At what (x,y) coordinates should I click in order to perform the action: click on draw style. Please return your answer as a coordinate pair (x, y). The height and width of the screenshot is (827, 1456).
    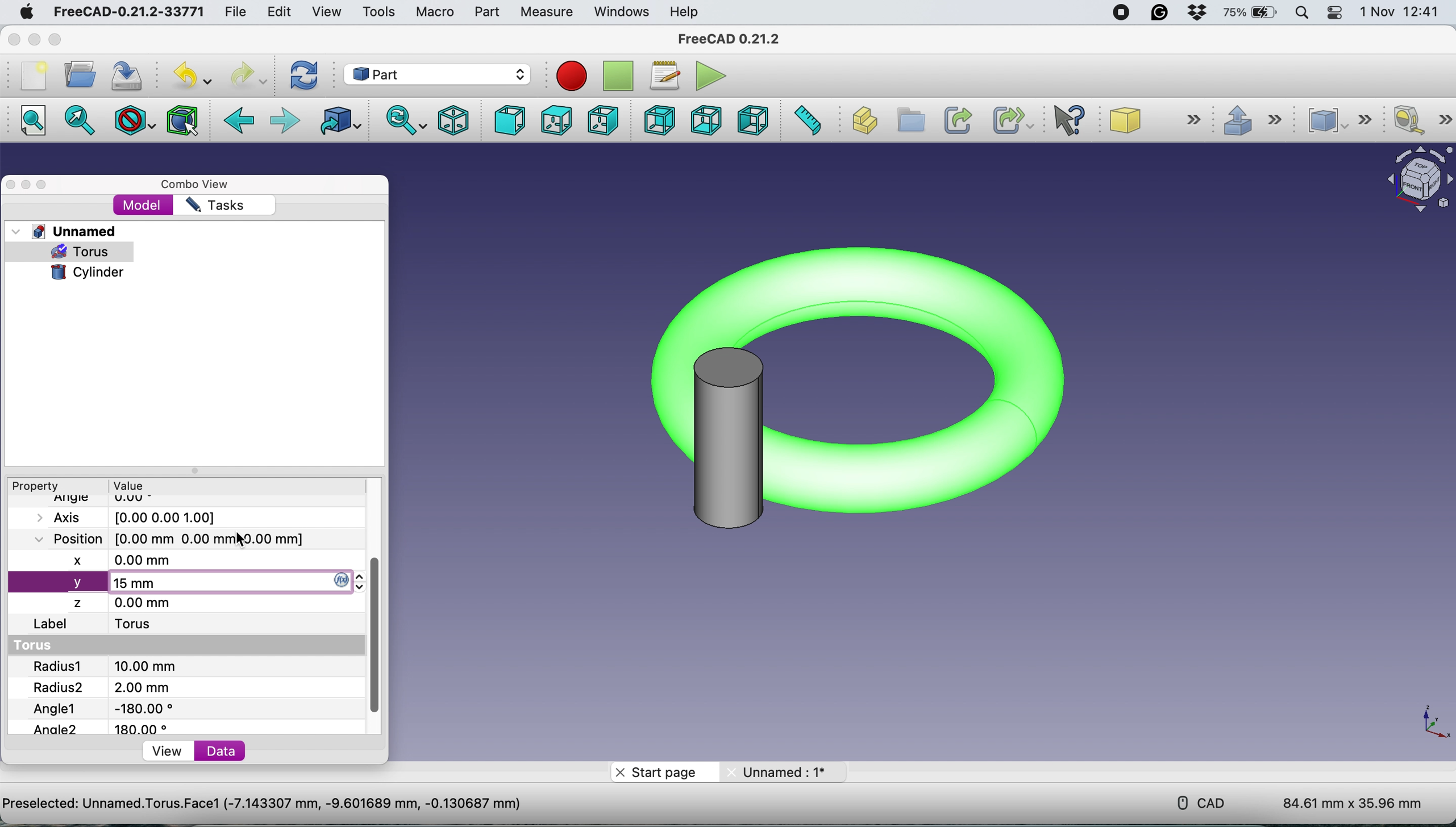
    Looking at the image, I should click on (137, 119).